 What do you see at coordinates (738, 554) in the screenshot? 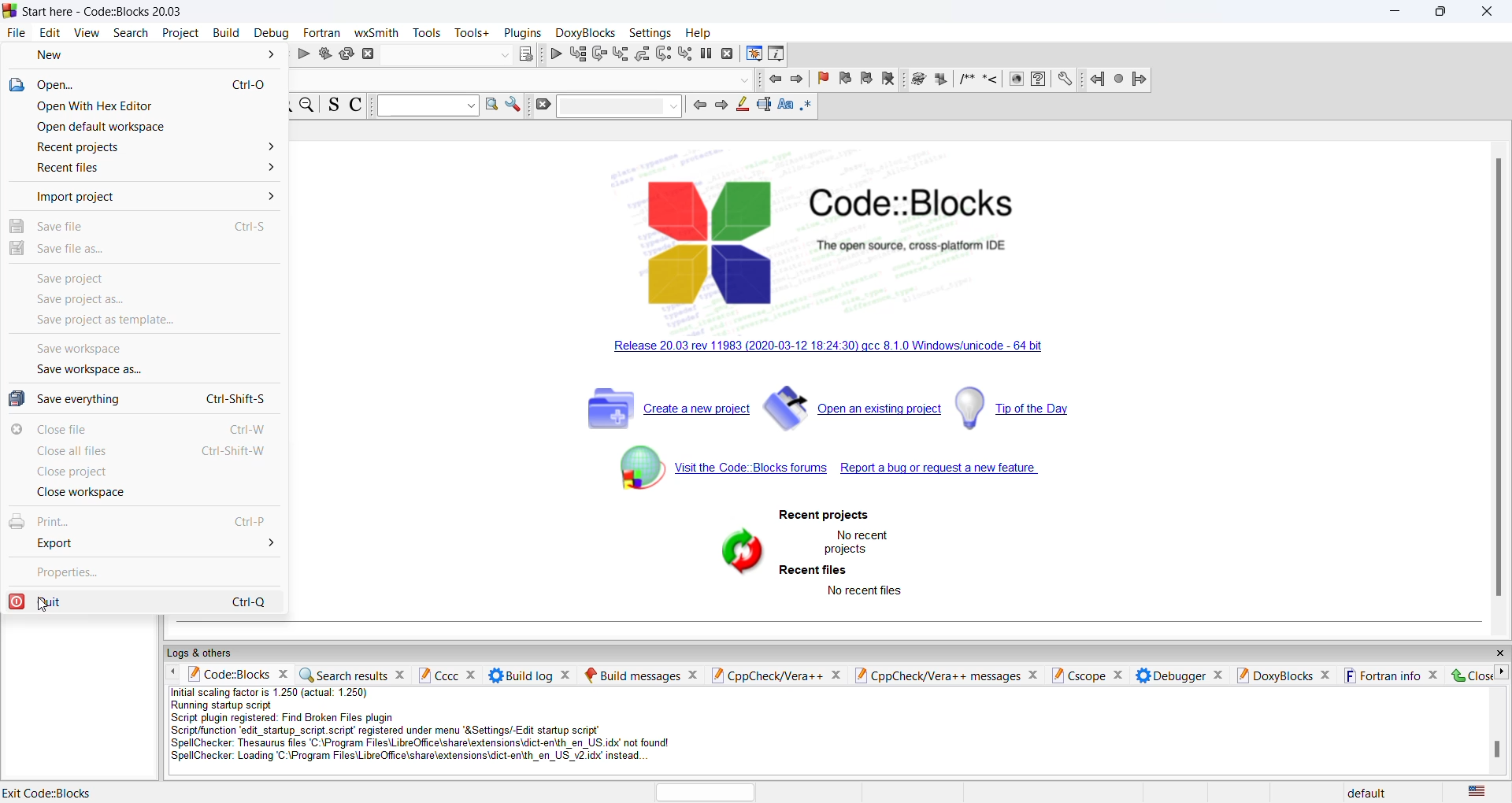
I see `refresh` at bounding box center [738, 554].